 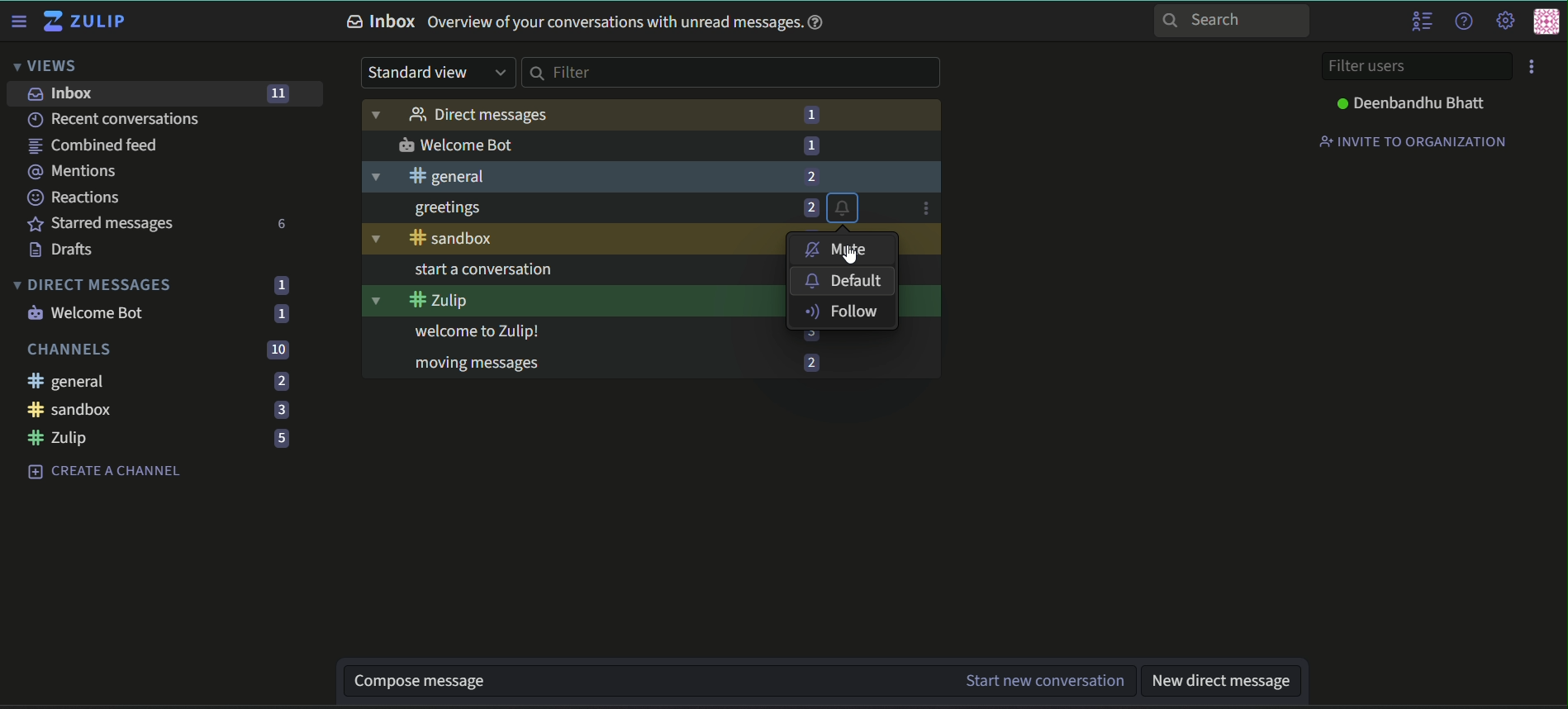 I want to click on Numbers, so click(x=278, y=439).